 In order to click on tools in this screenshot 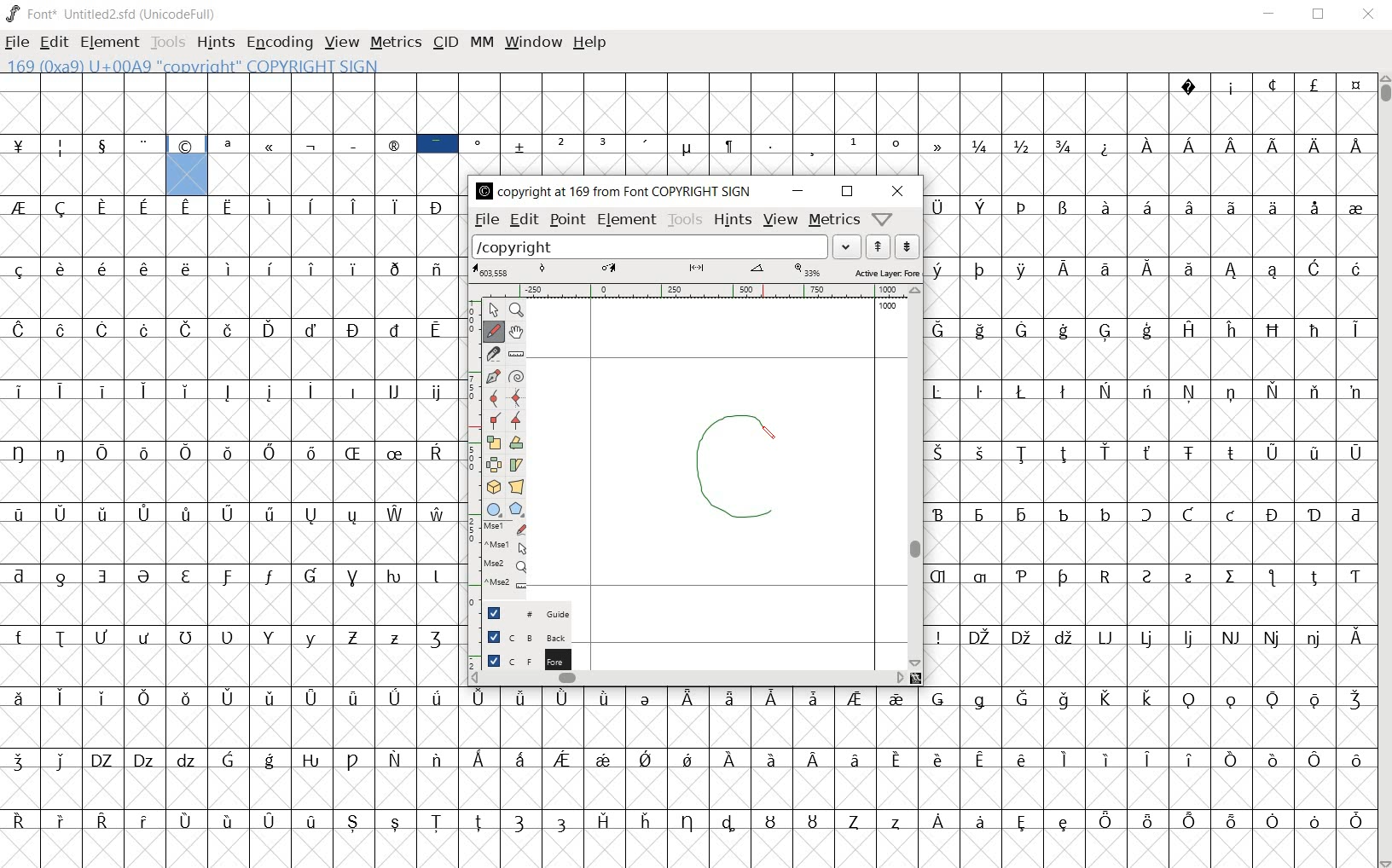, I will do `click(684, 219)`.